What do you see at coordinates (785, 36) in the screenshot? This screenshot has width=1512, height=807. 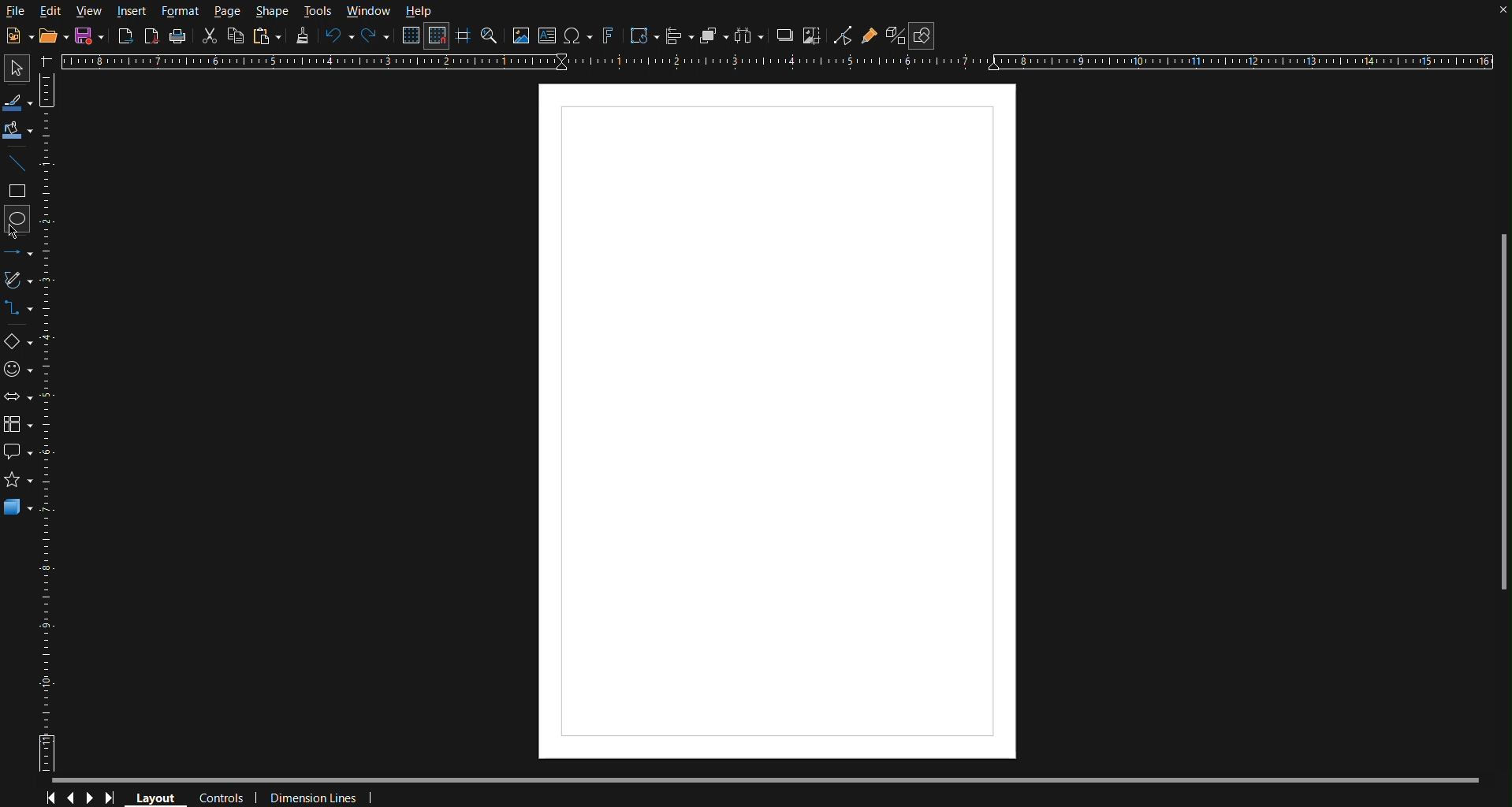 I see `Shadow` at bounding box center [785, 36].